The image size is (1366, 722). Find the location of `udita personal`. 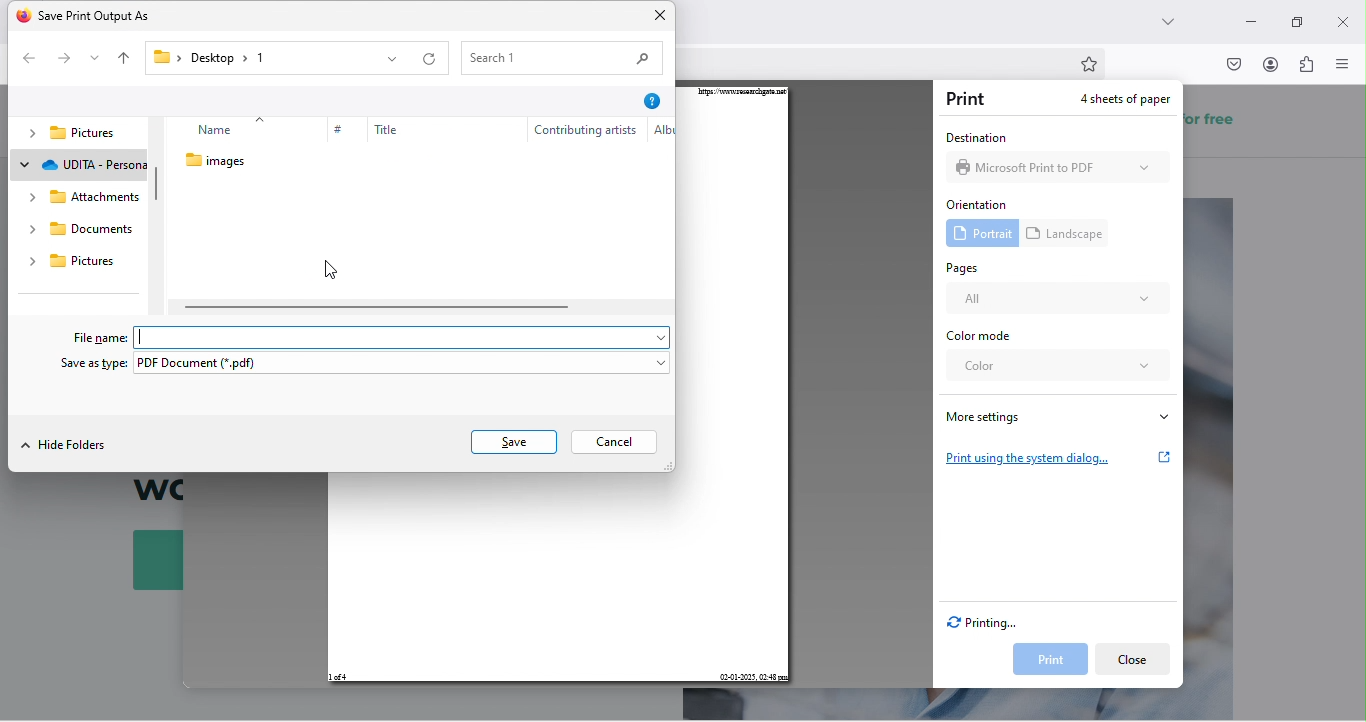

udita personal is located at coordinates (75, 165).